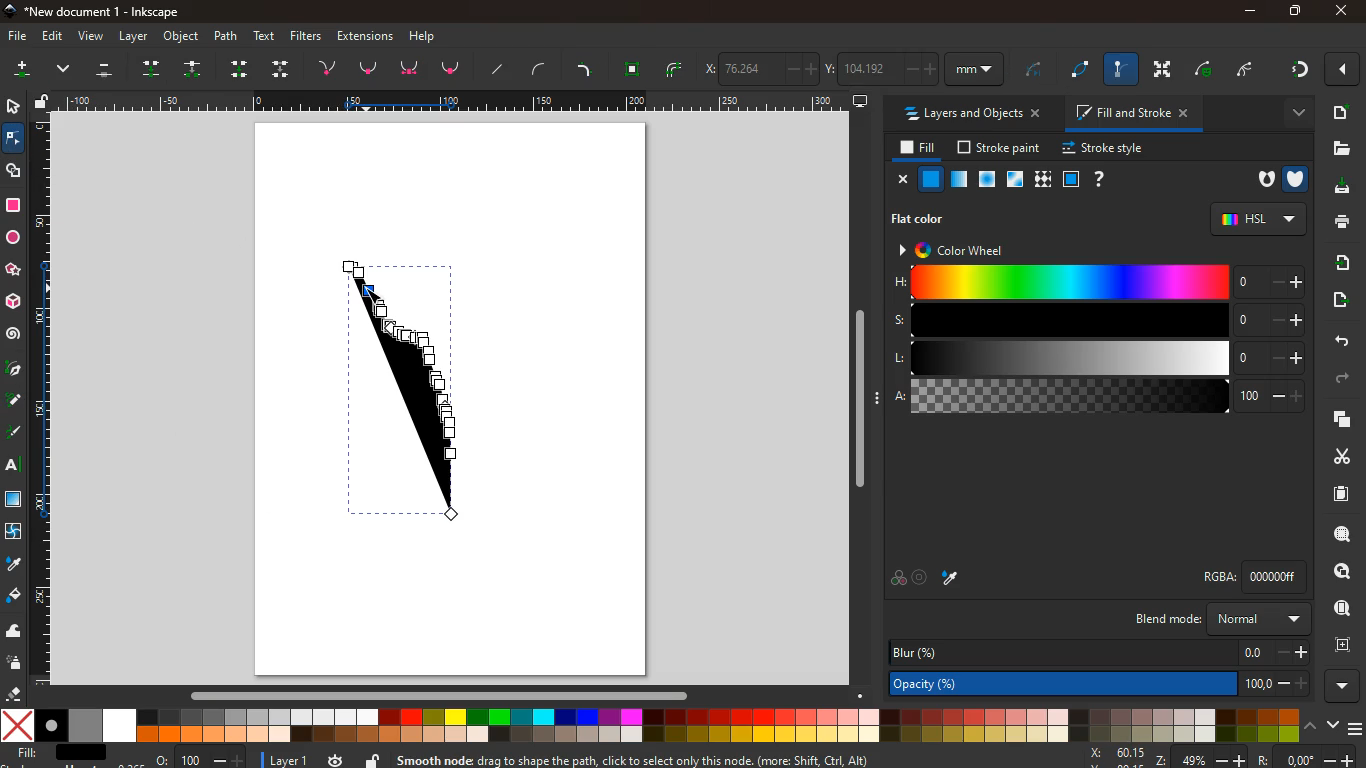  Describe the element at coordinates (15, 630) in the screenshot. I see `wave` at that location.